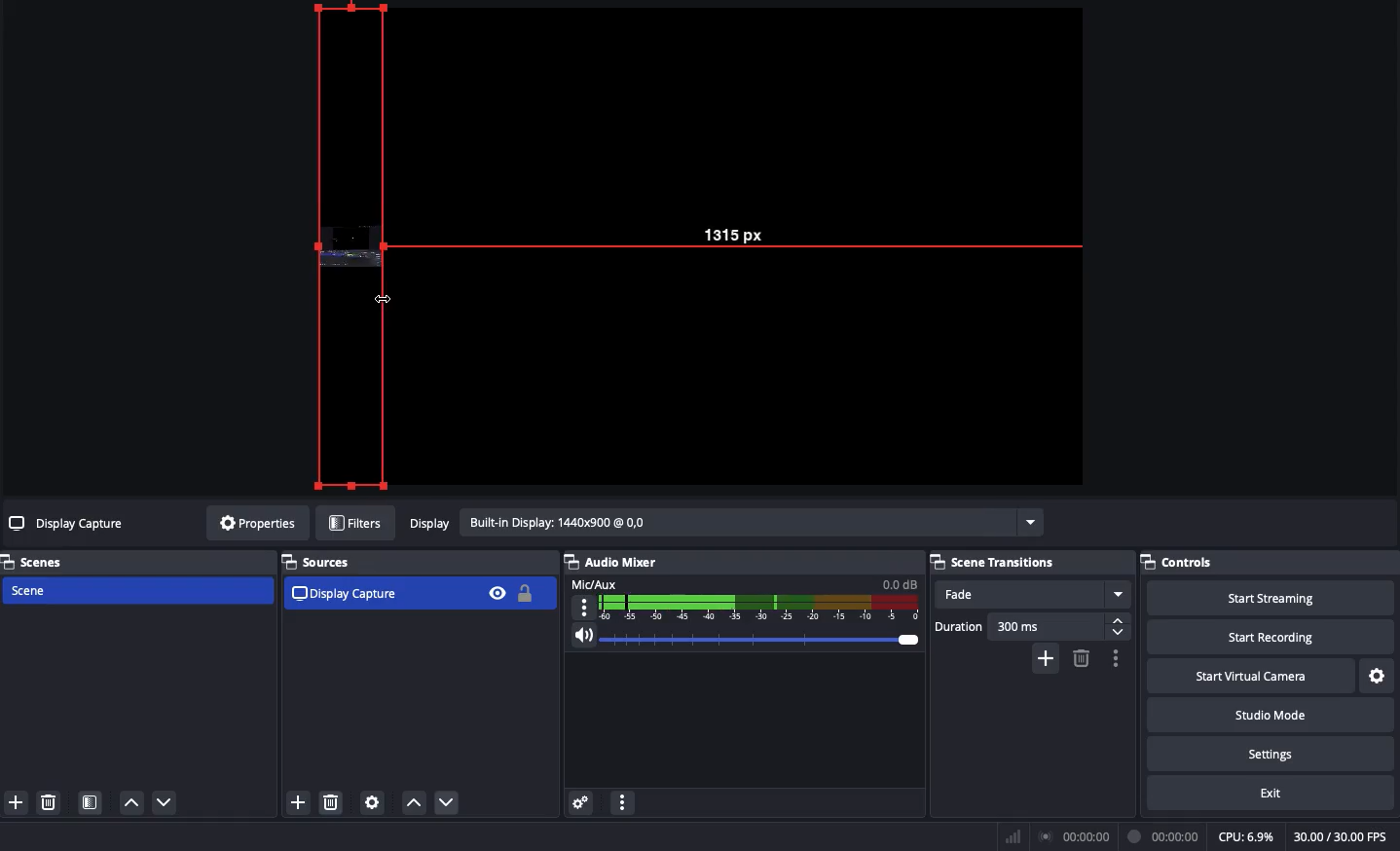 This screenshot has width=1400, height=851. I want to click on FPS, so click(1346, 836).